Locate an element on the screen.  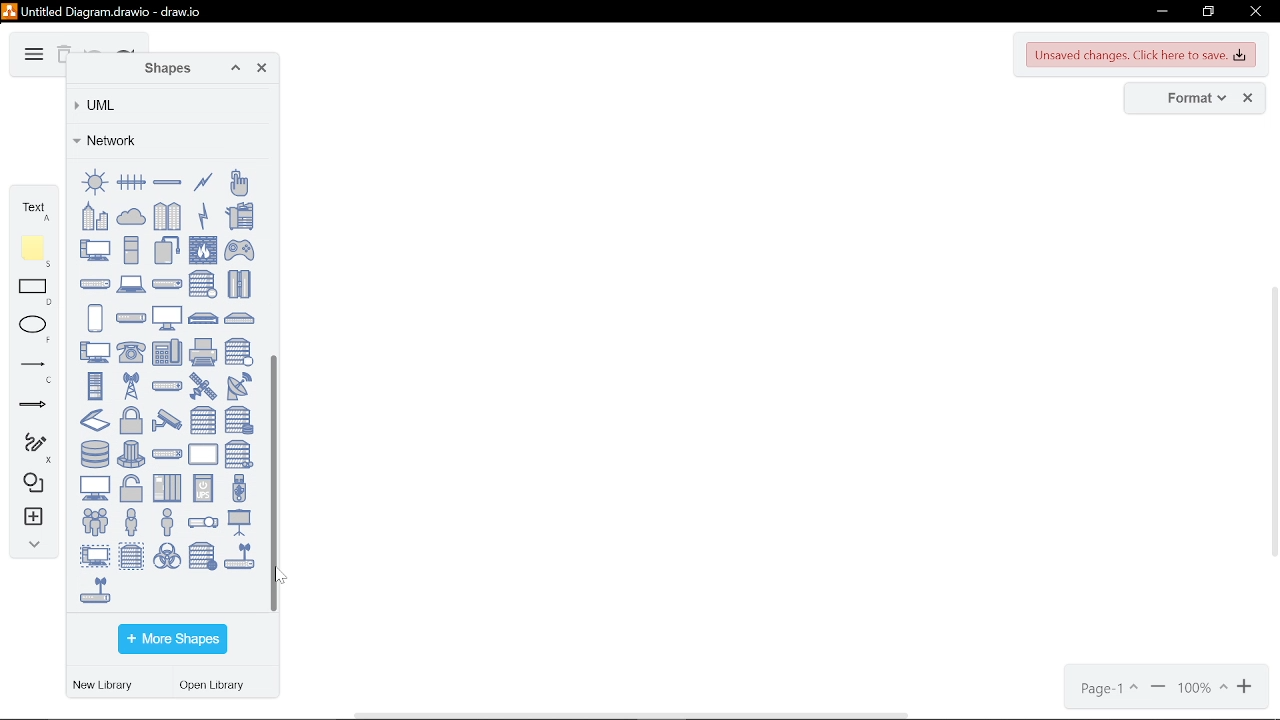
web server is located at coordinates (203, 556).